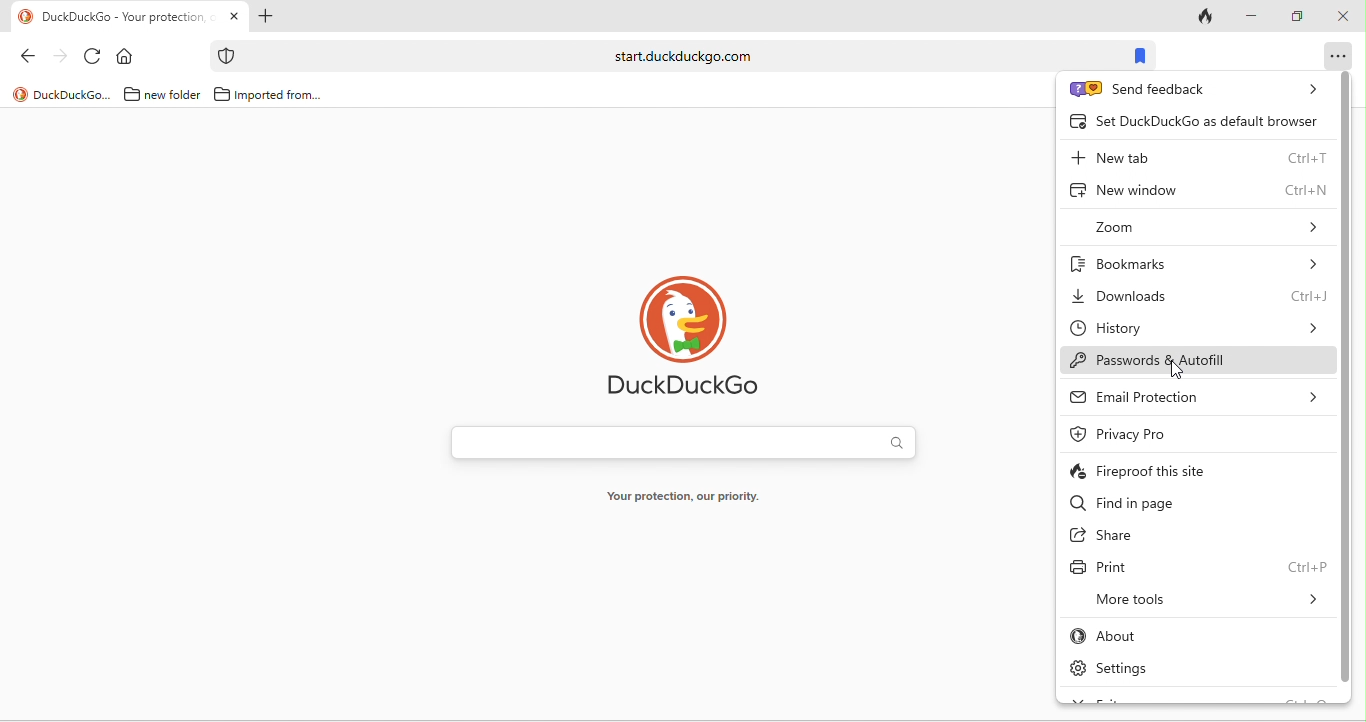  What do you see at coordinates (1207, 20) in the screenshot?
I see `track tab` at bounding box center [1207, 20].